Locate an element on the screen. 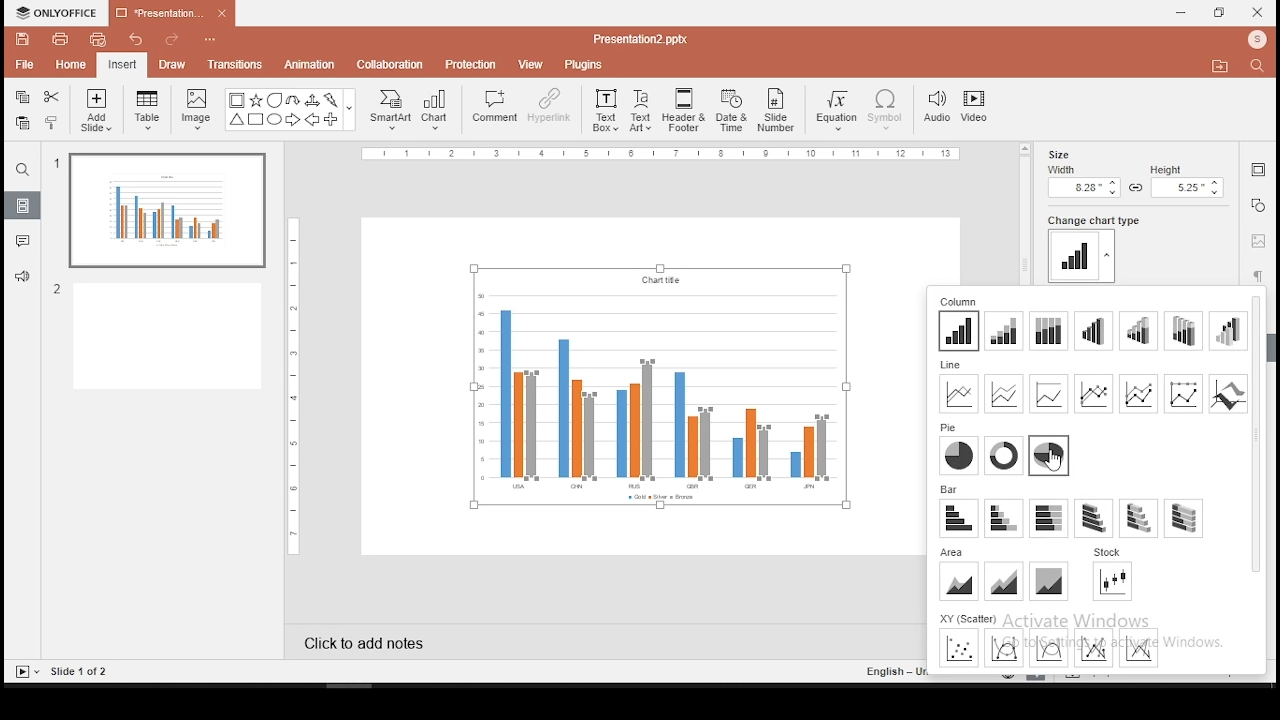 The height and width of the screenshot is (720, 1280). area 2 is located at coordinates (1003, 580).